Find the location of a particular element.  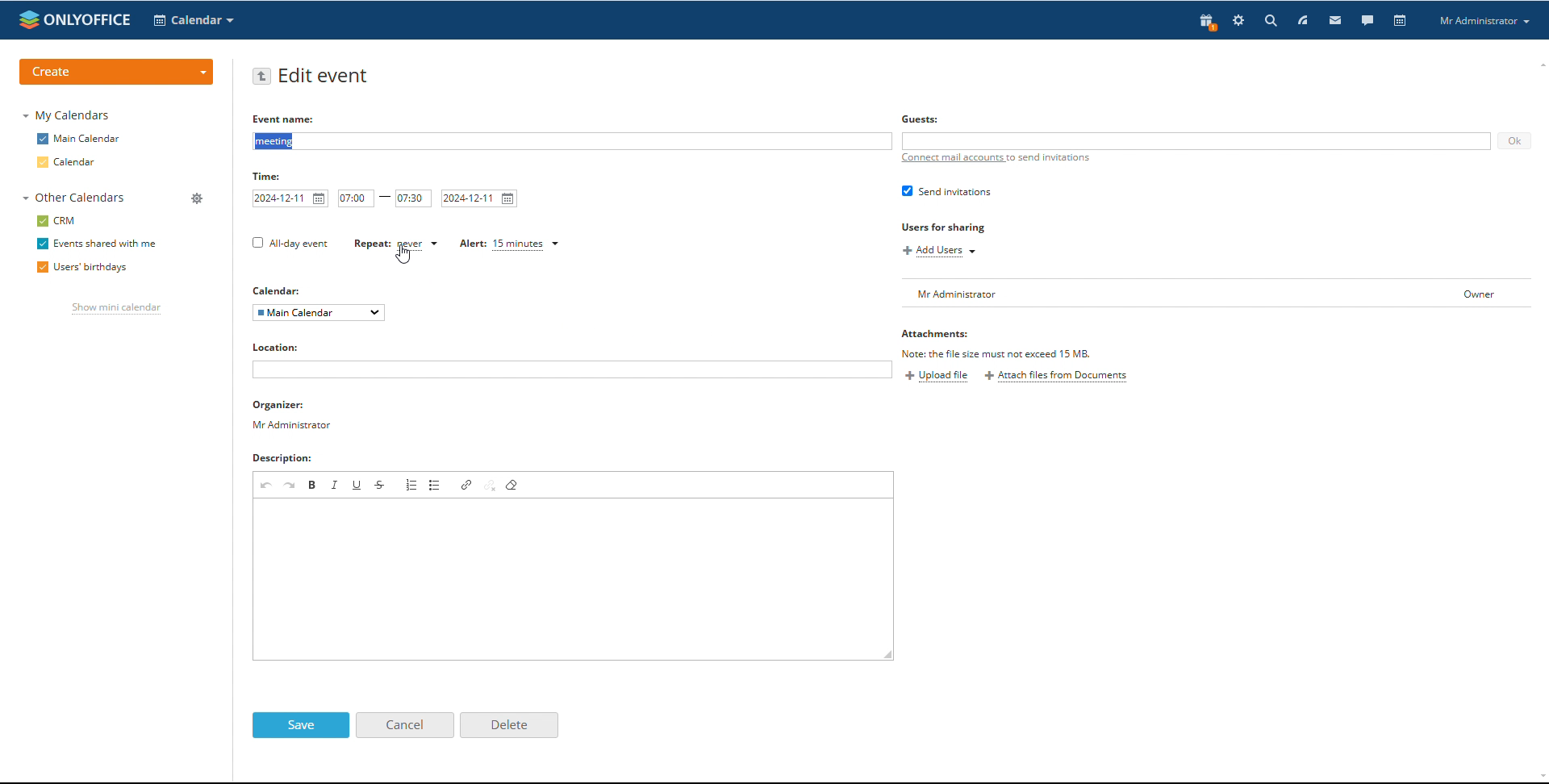

Note: the file size must not exceed 15 MB. is located at coordinates (997, 353).